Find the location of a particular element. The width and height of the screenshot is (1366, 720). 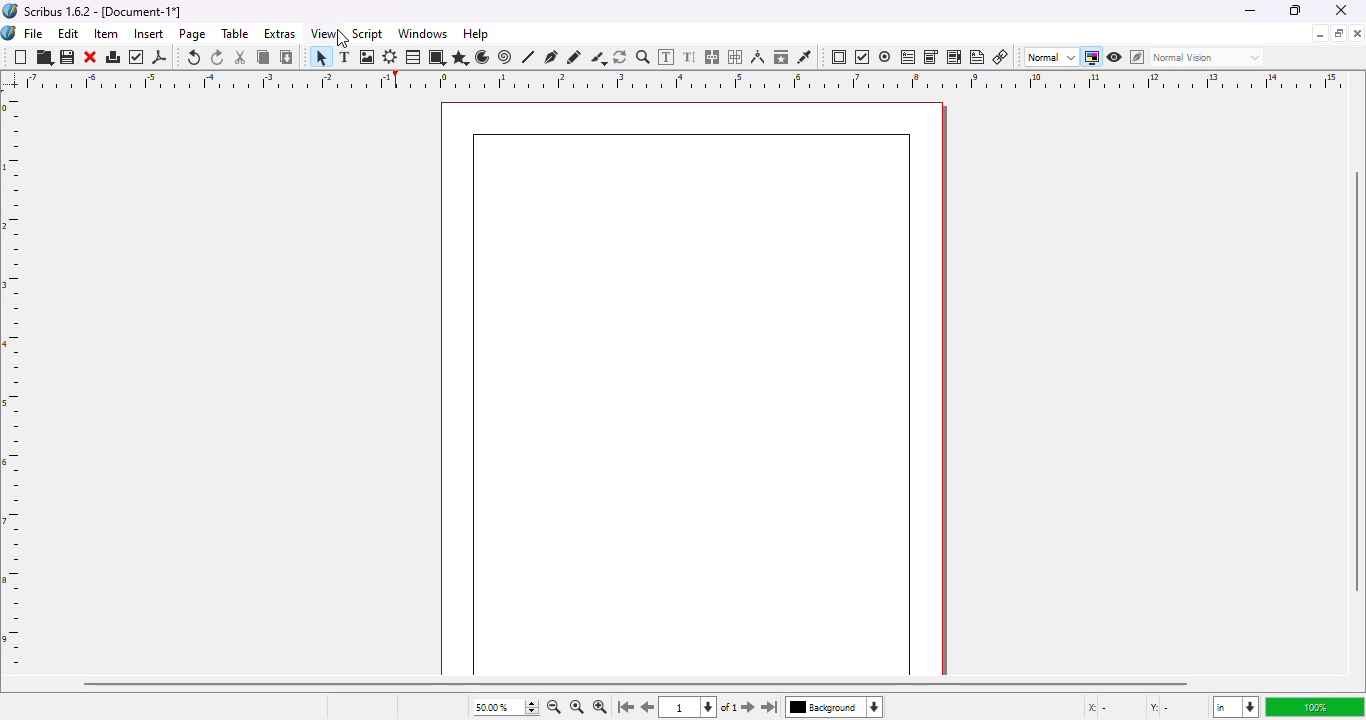

vertical scroll bar is located at coordinates (1357, 383).